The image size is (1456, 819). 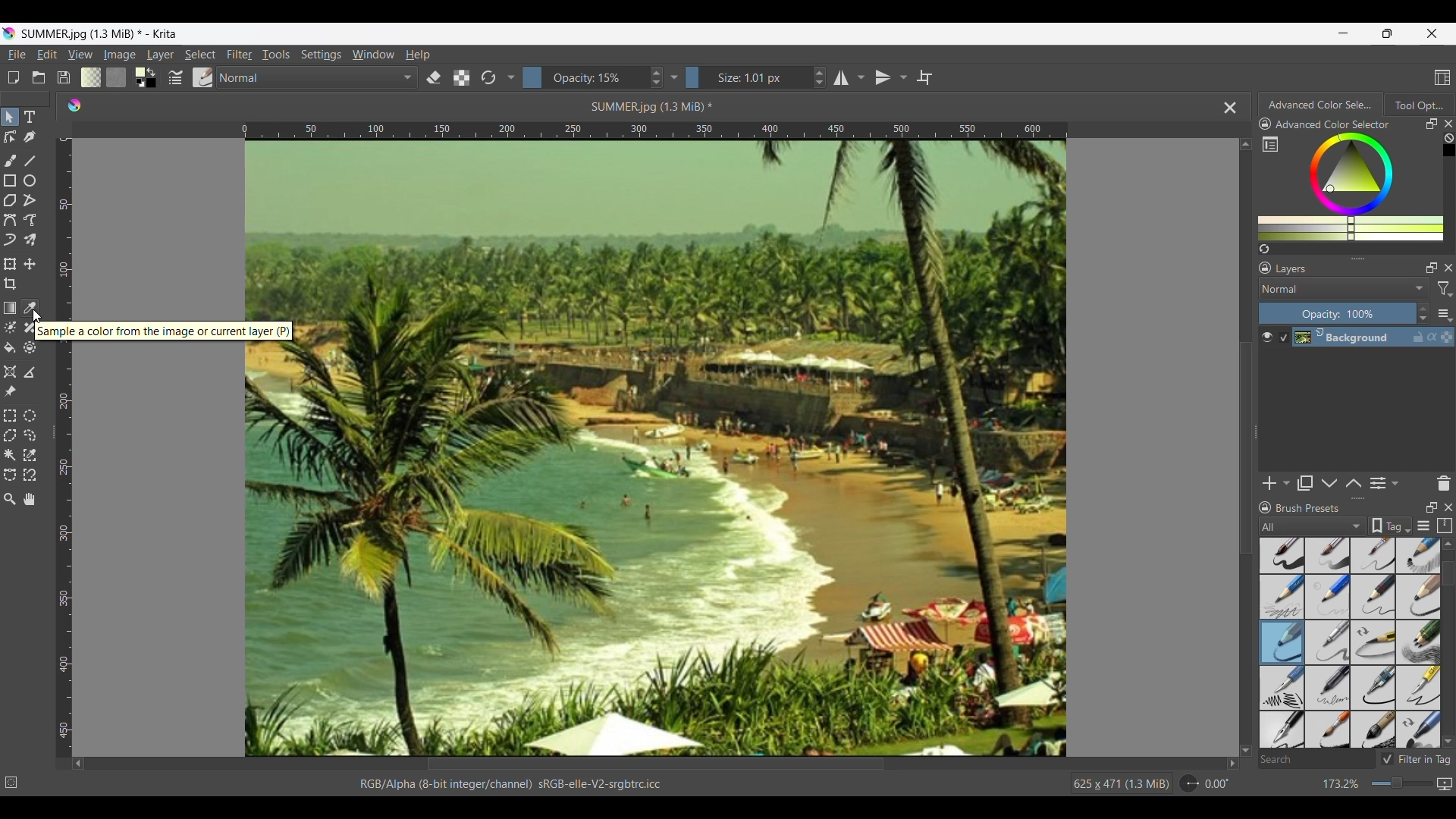 I want to click on Window menu, so click(x=372, y=54).